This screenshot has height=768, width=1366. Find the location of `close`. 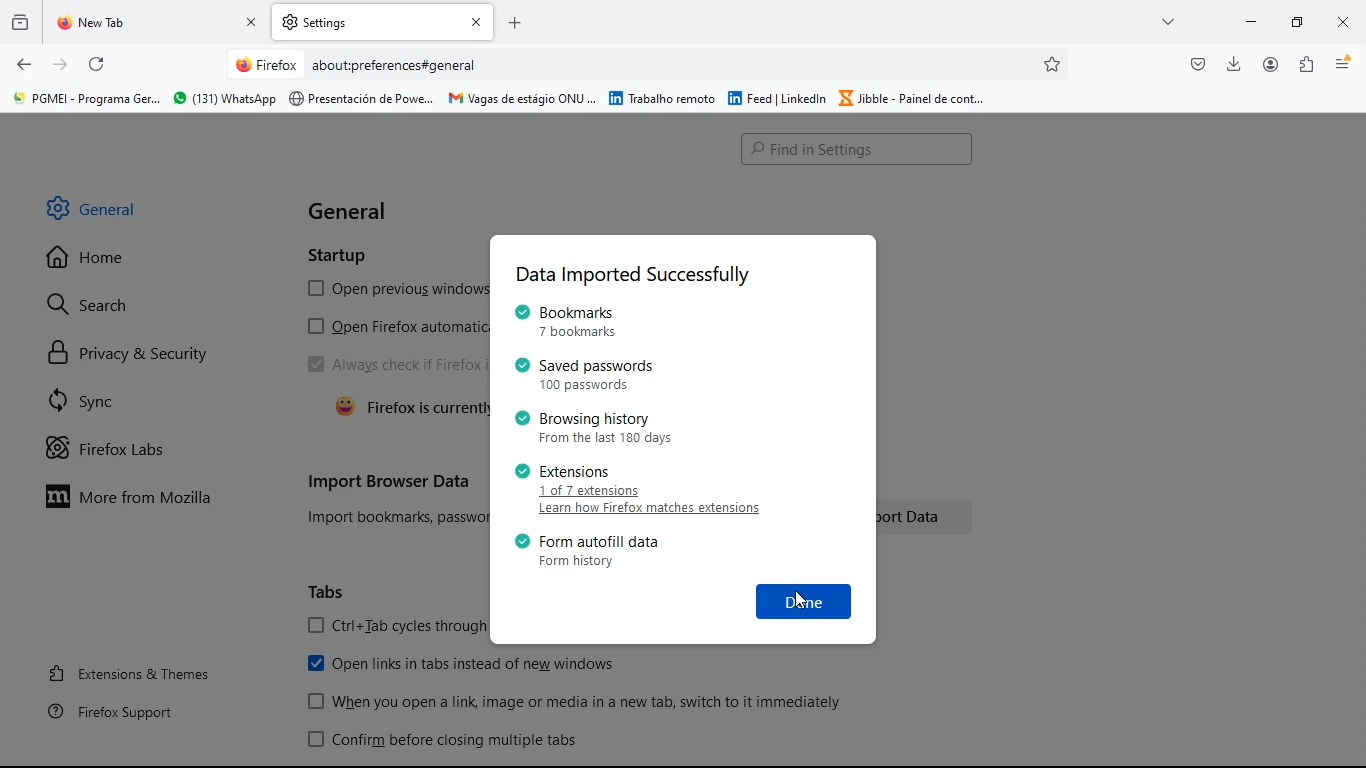

close is located at coordinates (1340, 25).